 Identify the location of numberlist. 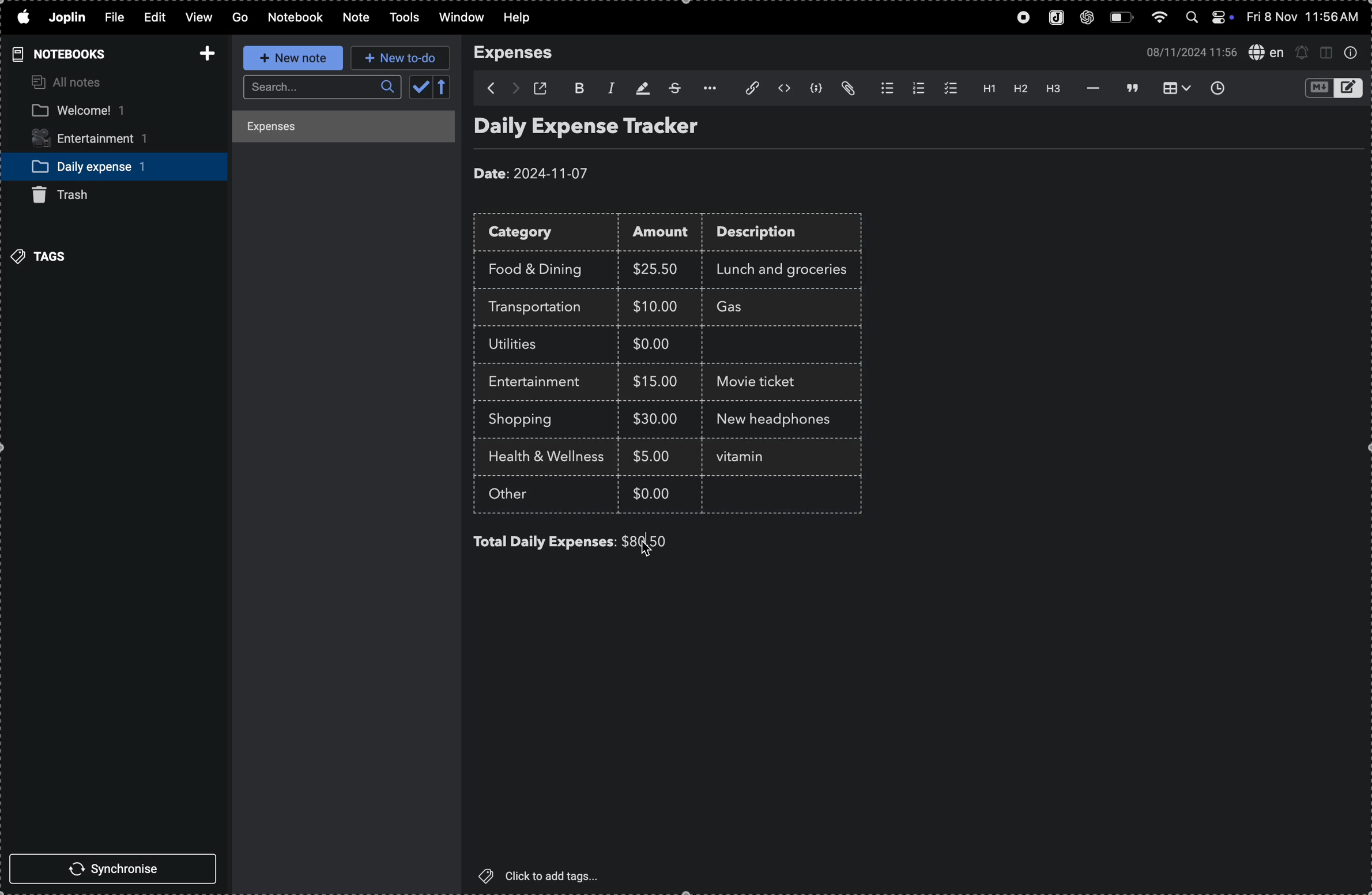
(916, 88).